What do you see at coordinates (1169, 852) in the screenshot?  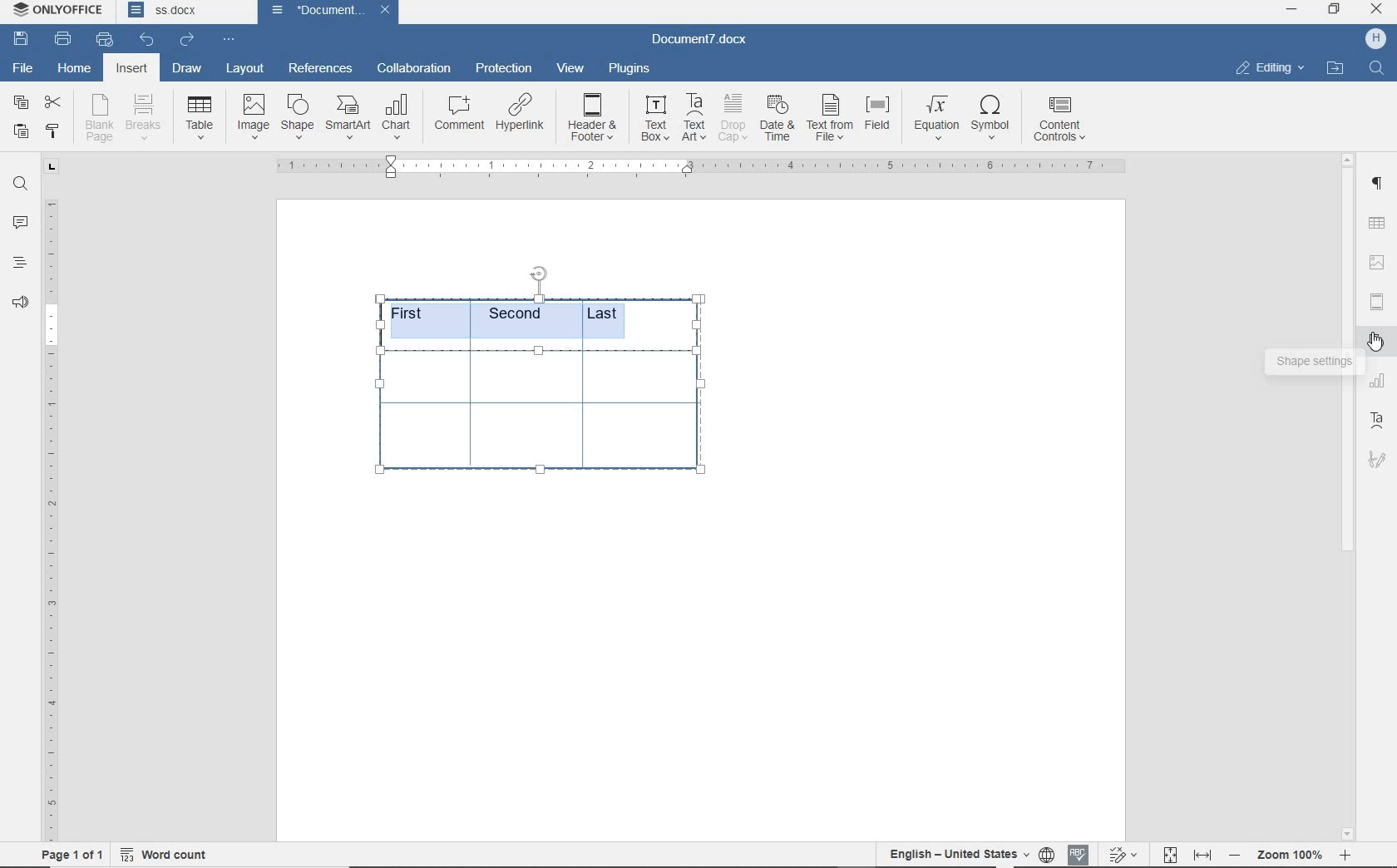 I see `fit to page` at bounding box center [1169, 852].